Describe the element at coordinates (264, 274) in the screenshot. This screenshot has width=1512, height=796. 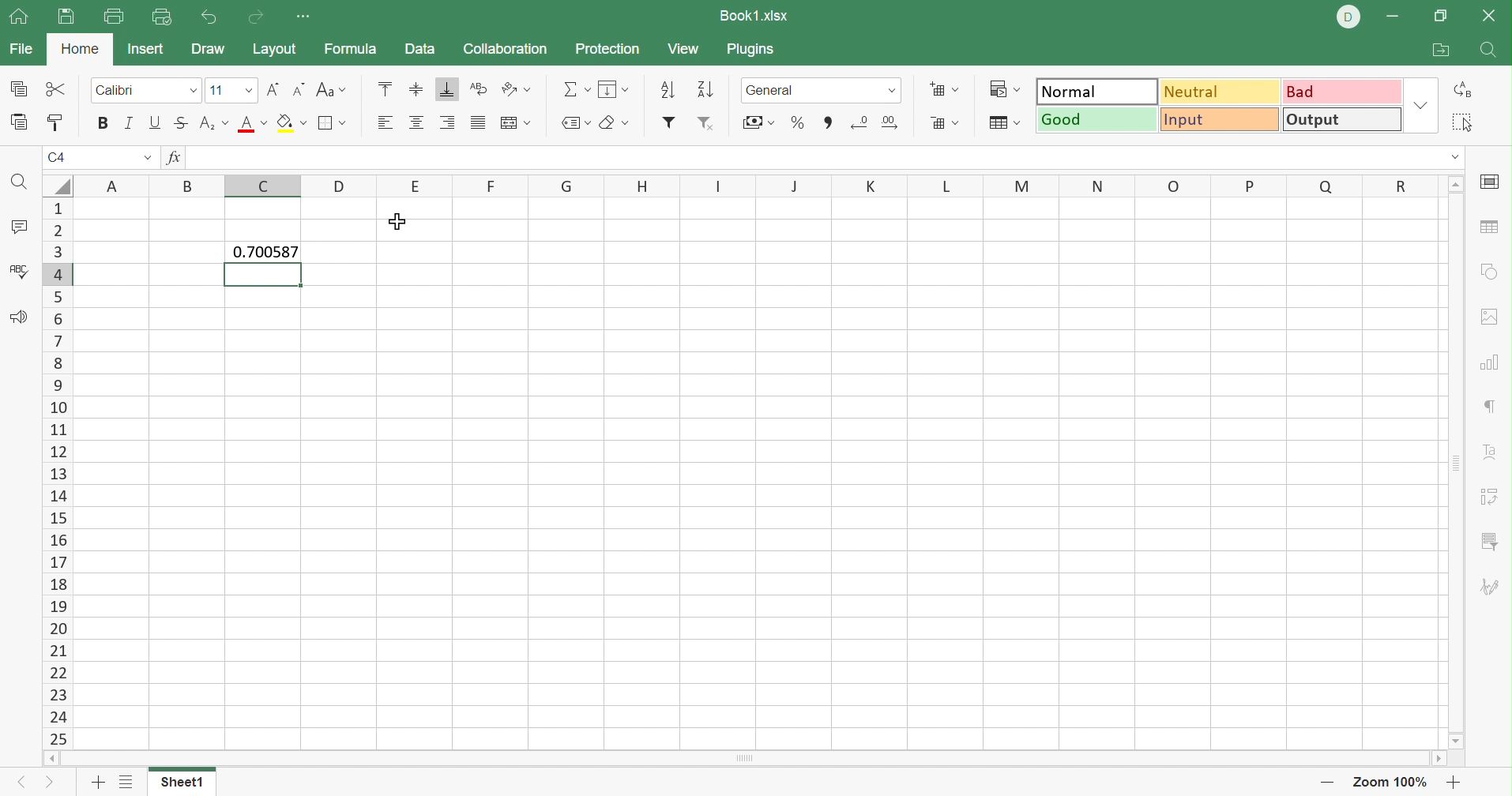
I see `selected cells` at that location.